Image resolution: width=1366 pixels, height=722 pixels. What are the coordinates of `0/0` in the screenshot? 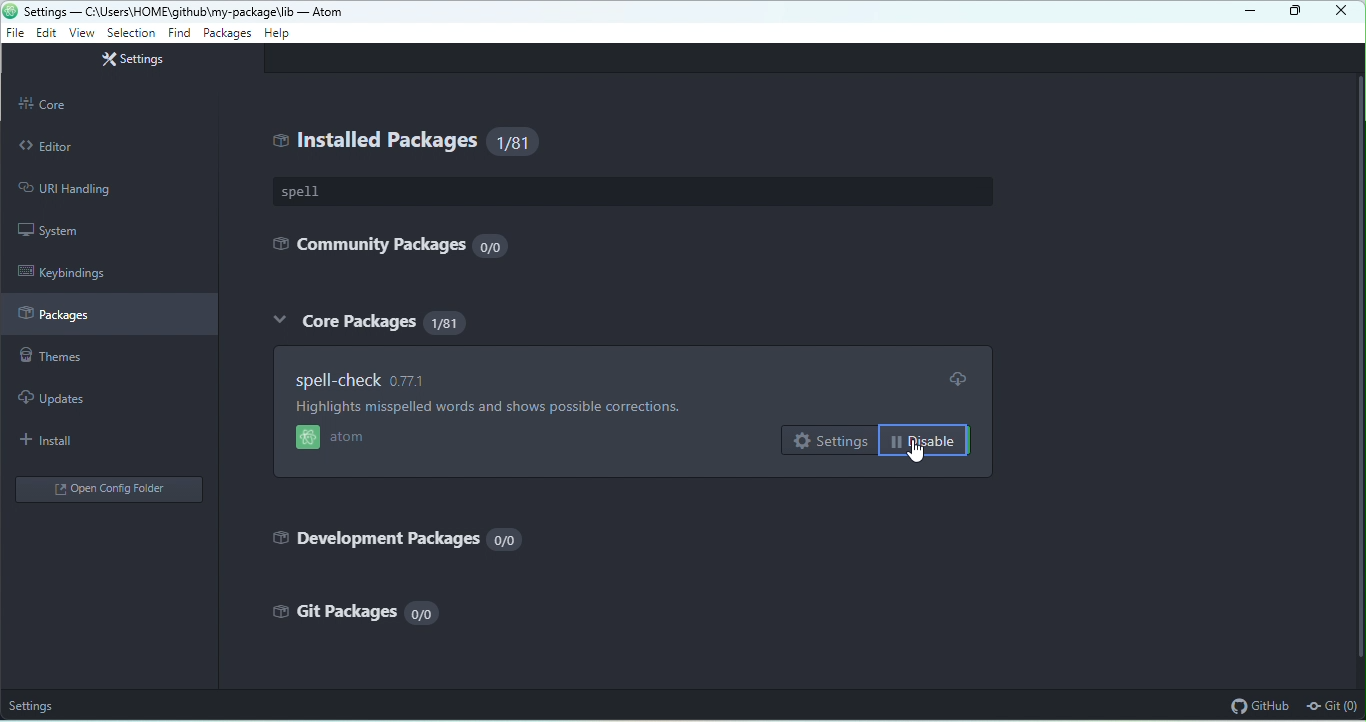 It's located at (507, 540).